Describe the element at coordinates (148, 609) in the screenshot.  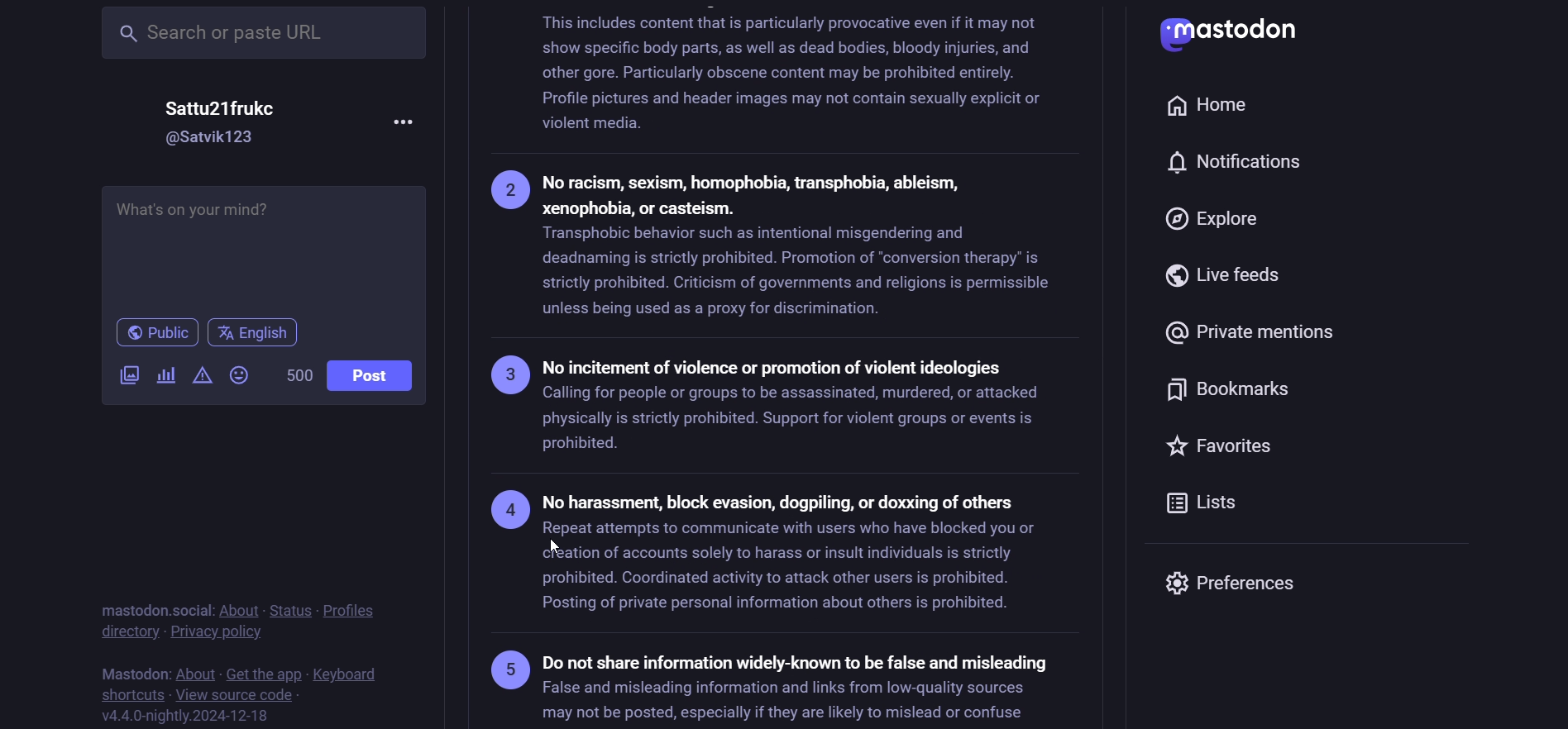
I see `mastodon social` at that location.